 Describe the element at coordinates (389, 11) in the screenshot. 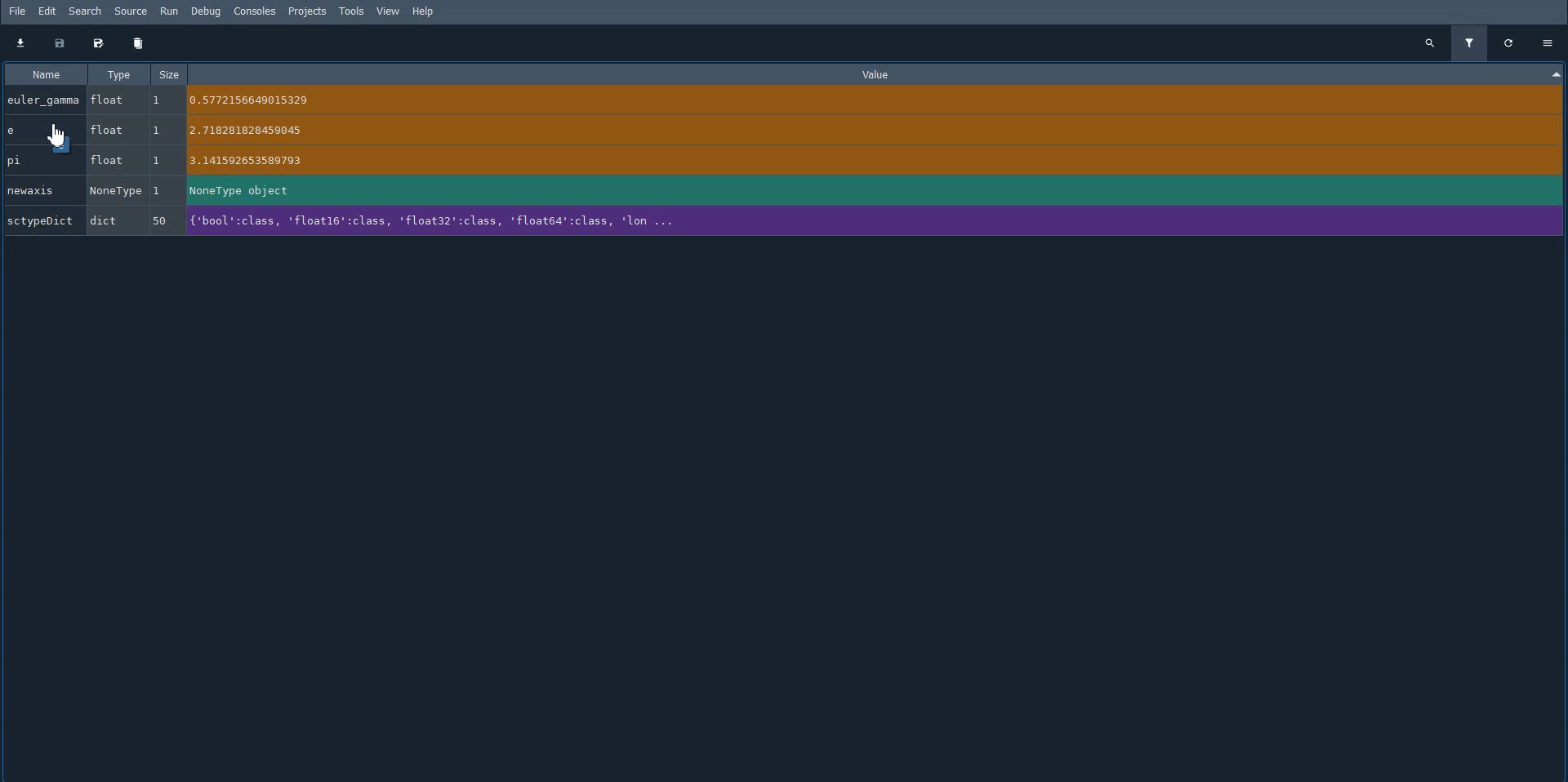

I see `View` at that location.